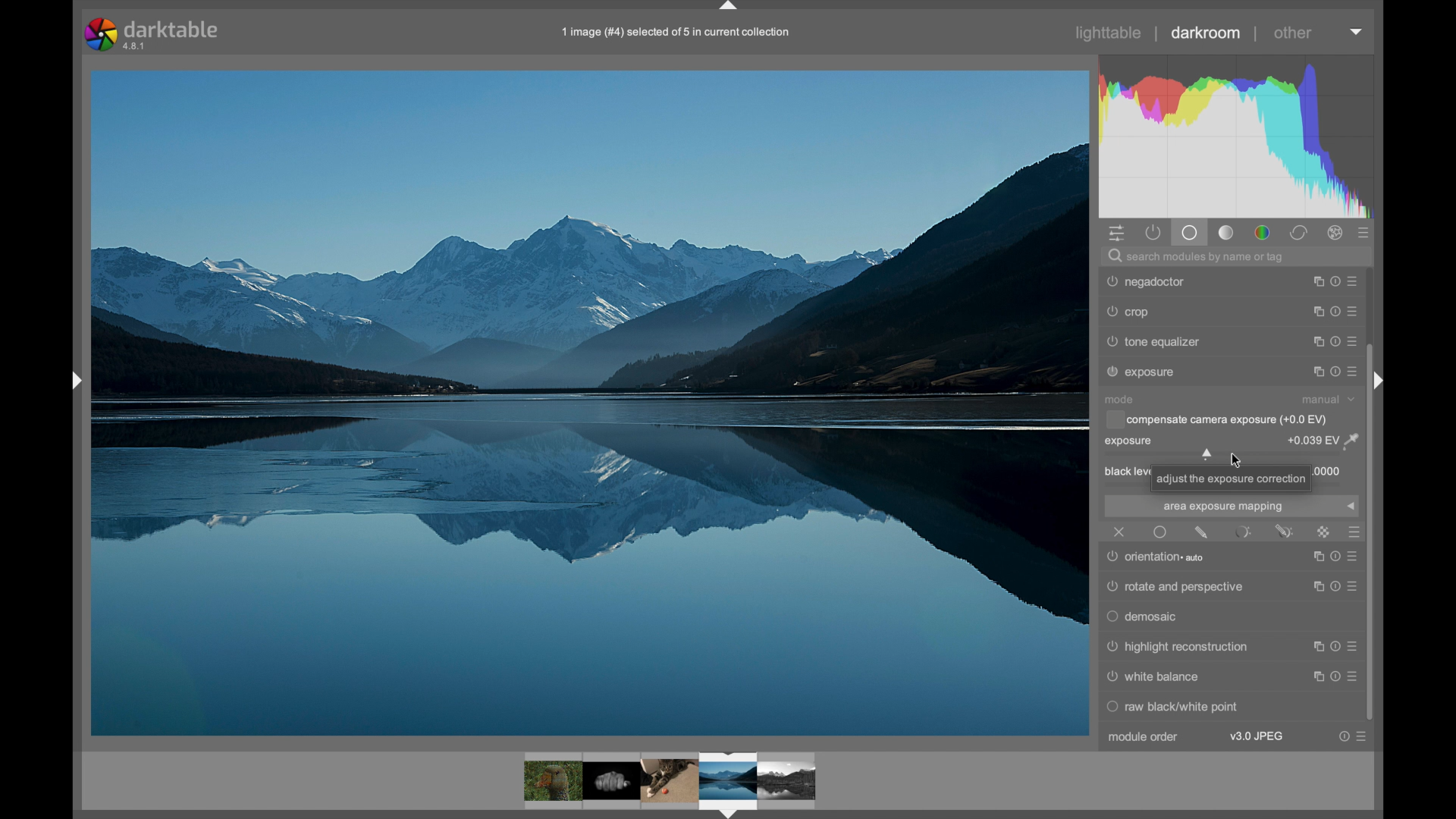 Image resolution: width=1456 pixels, height=819 pixels. Describe the element at coordinates (1130, 442) in the screenshot. I see `exposure` at that location.